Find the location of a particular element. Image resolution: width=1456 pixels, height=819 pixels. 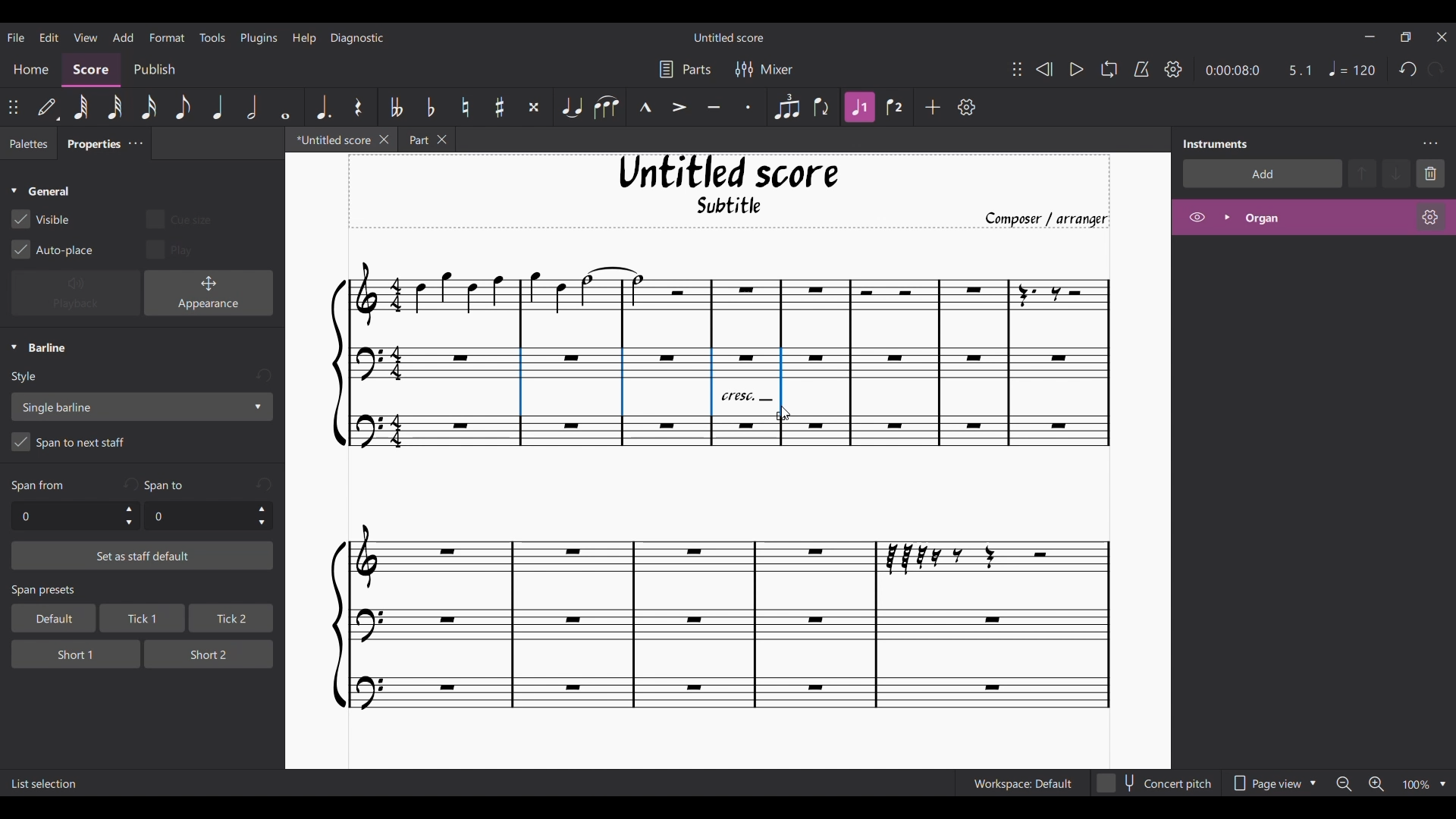

Indicates input for Style is located at coordinates (27, 378).